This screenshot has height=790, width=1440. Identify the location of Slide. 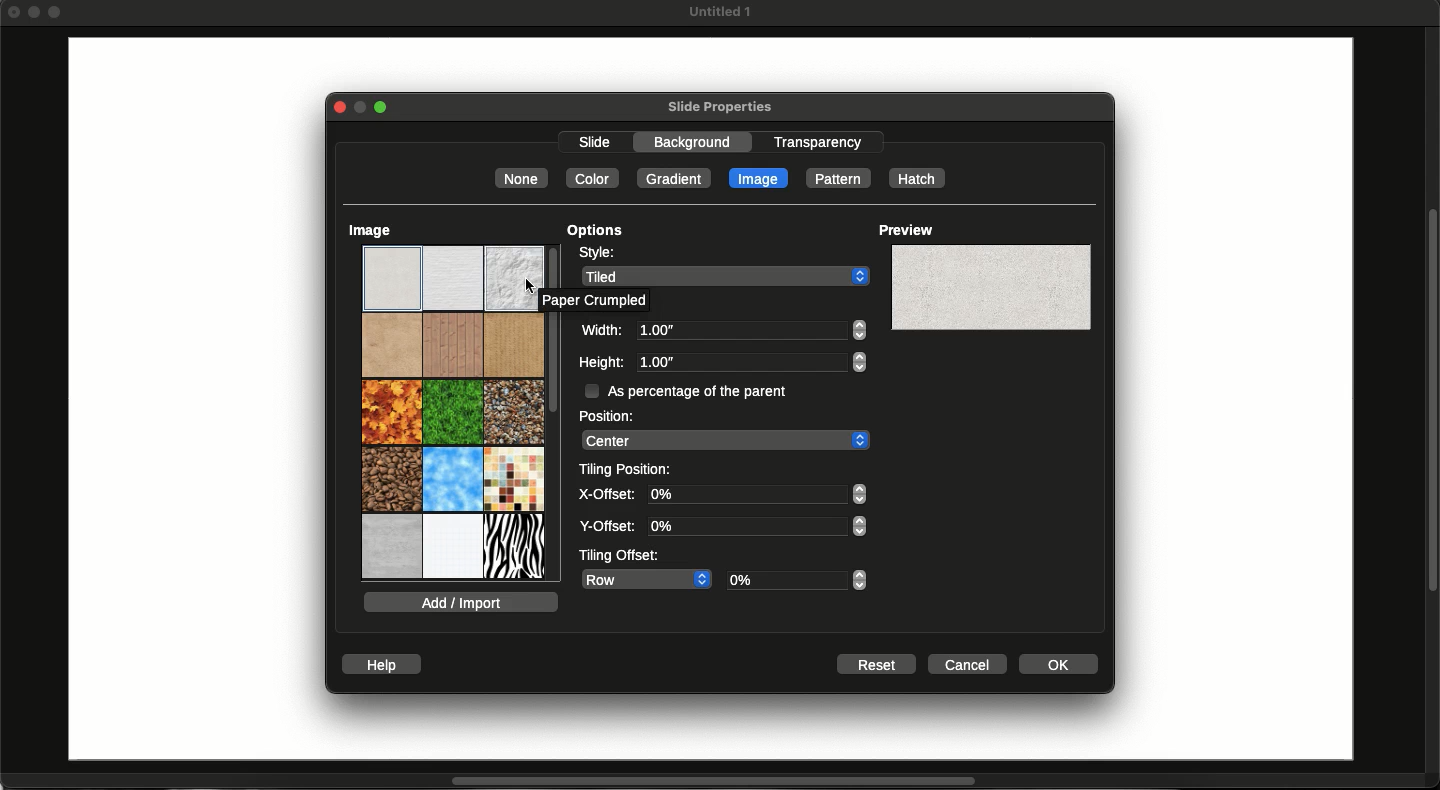
(595, 144).